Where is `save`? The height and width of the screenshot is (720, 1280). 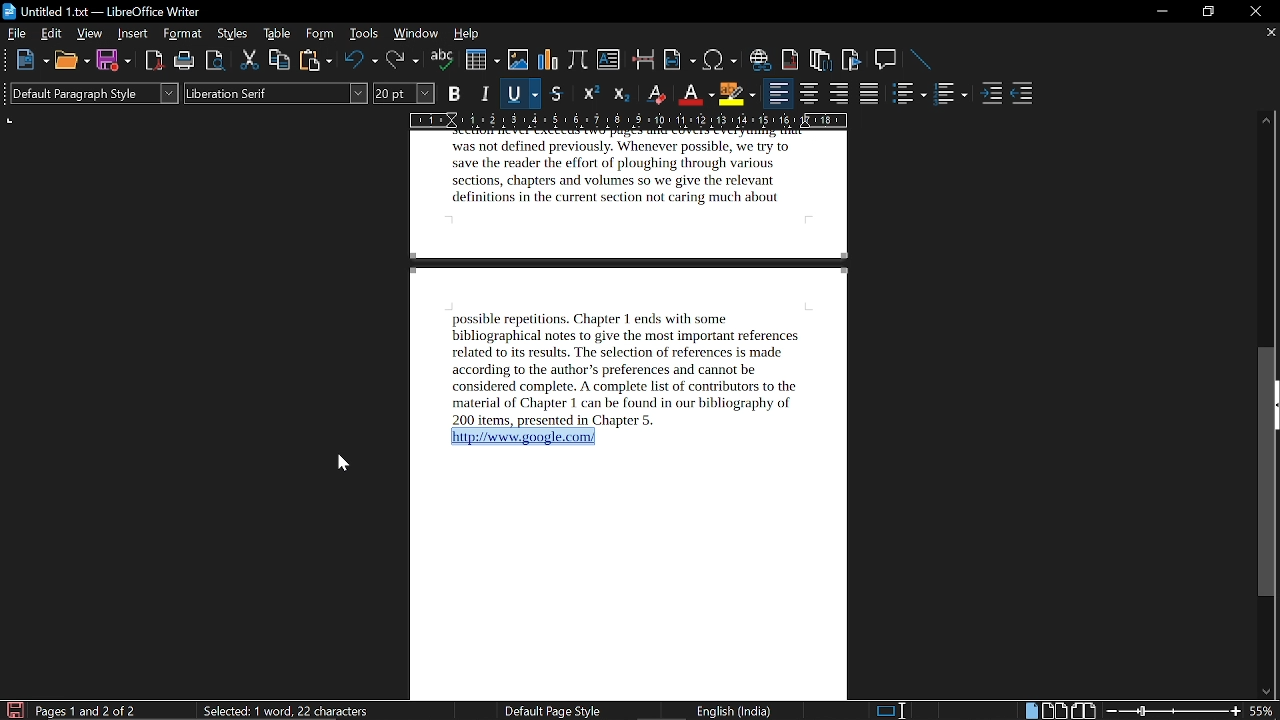
save is located at coordinates (113, 59).